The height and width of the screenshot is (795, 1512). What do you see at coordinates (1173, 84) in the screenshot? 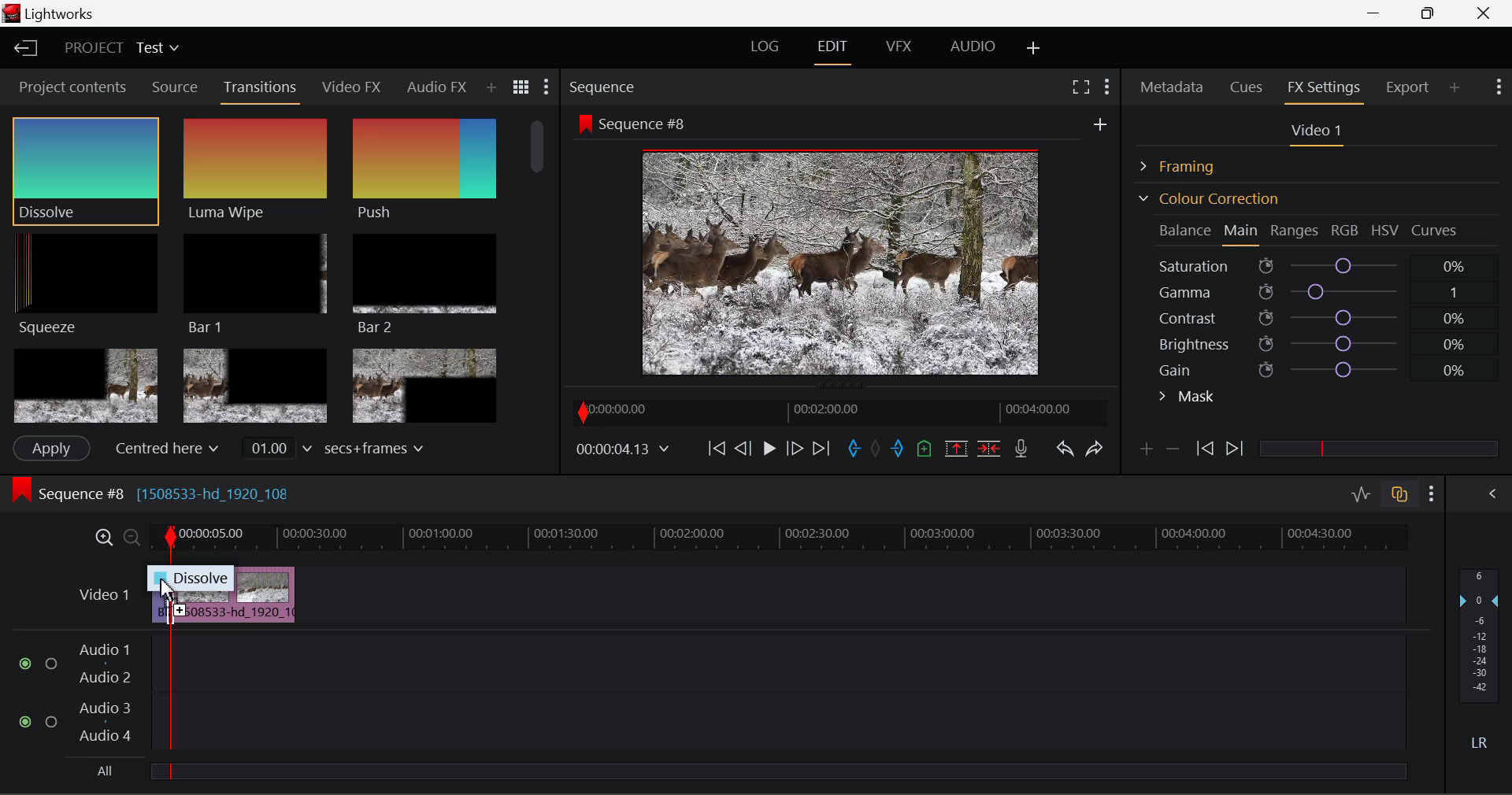
I see `Metadata Panel` at bounding box center [1173, 84].